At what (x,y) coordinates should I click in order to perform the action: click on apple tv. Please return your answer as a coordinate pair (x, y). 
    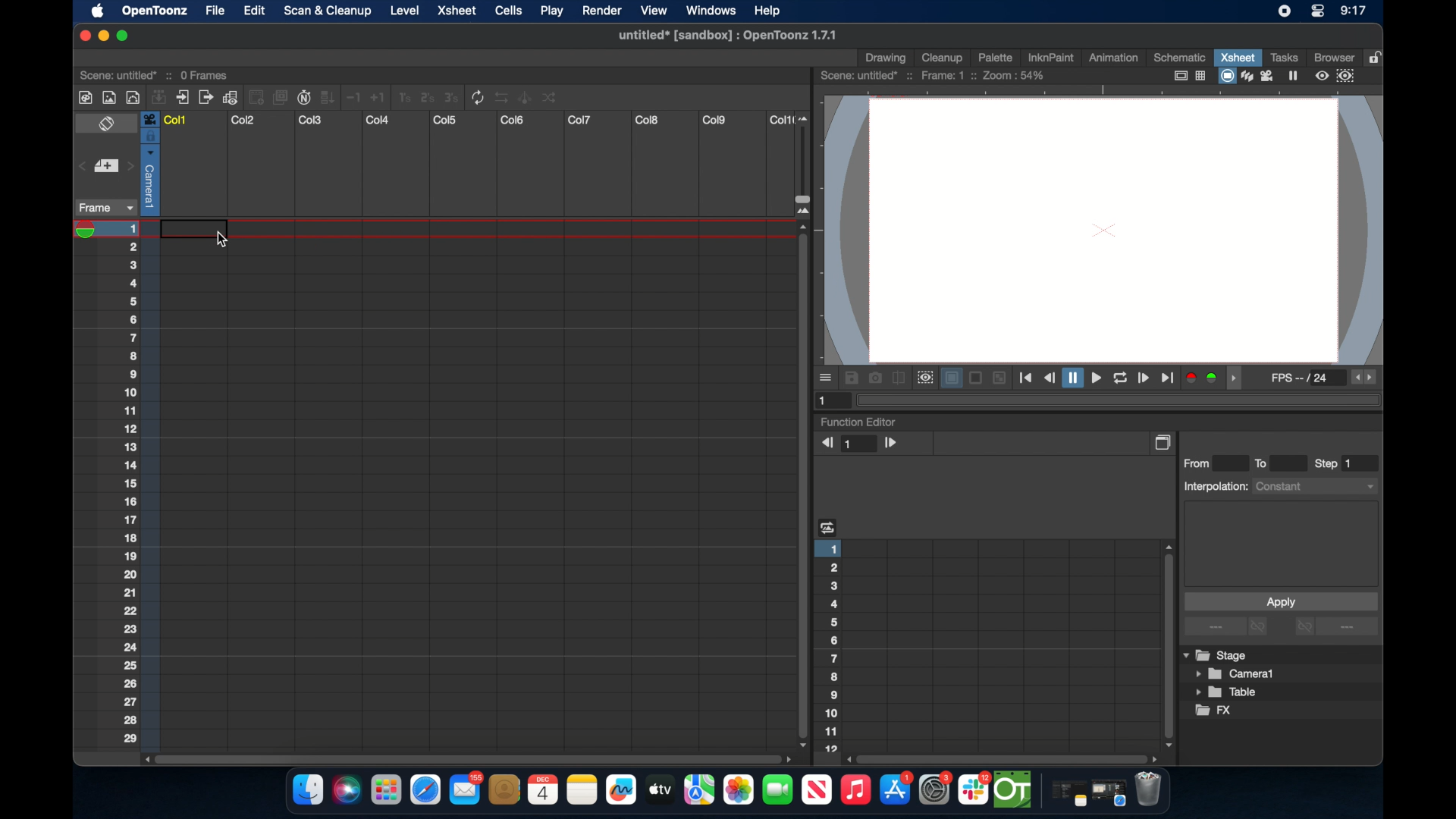
    Looking at the image, I should click on (816, 790).